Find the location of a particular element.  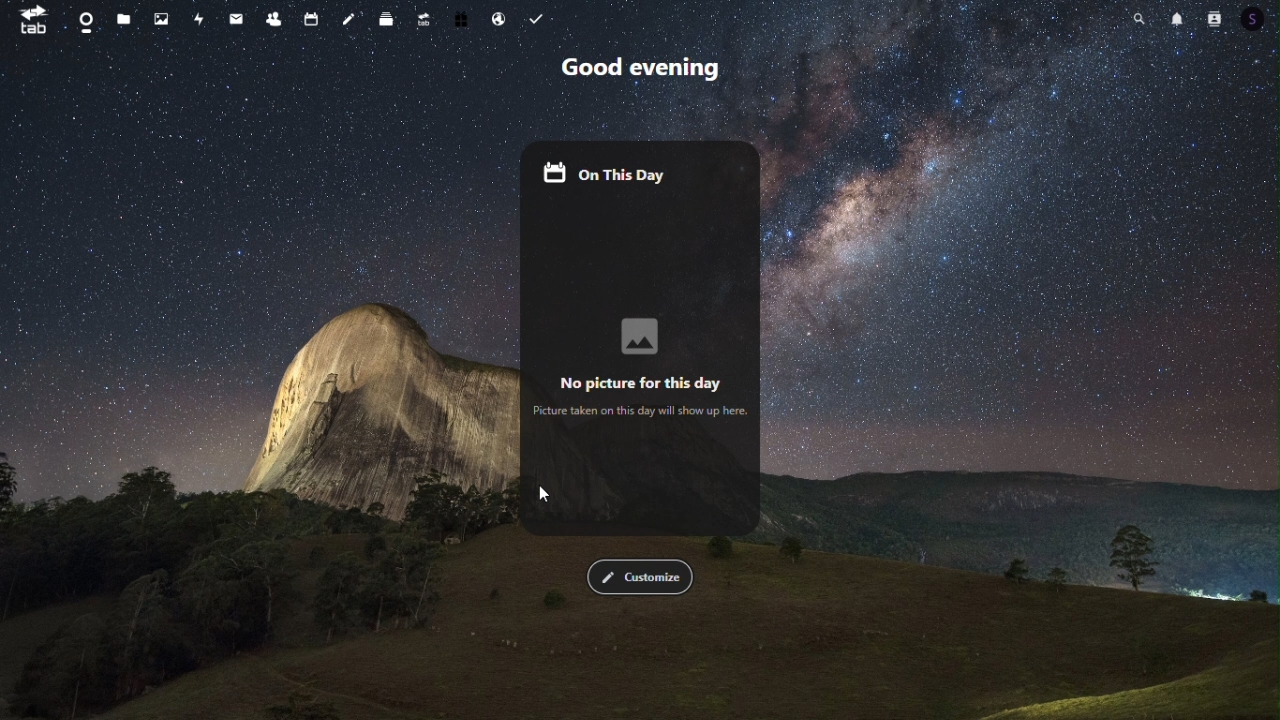

upgrade is located at coordinates (424, 18).